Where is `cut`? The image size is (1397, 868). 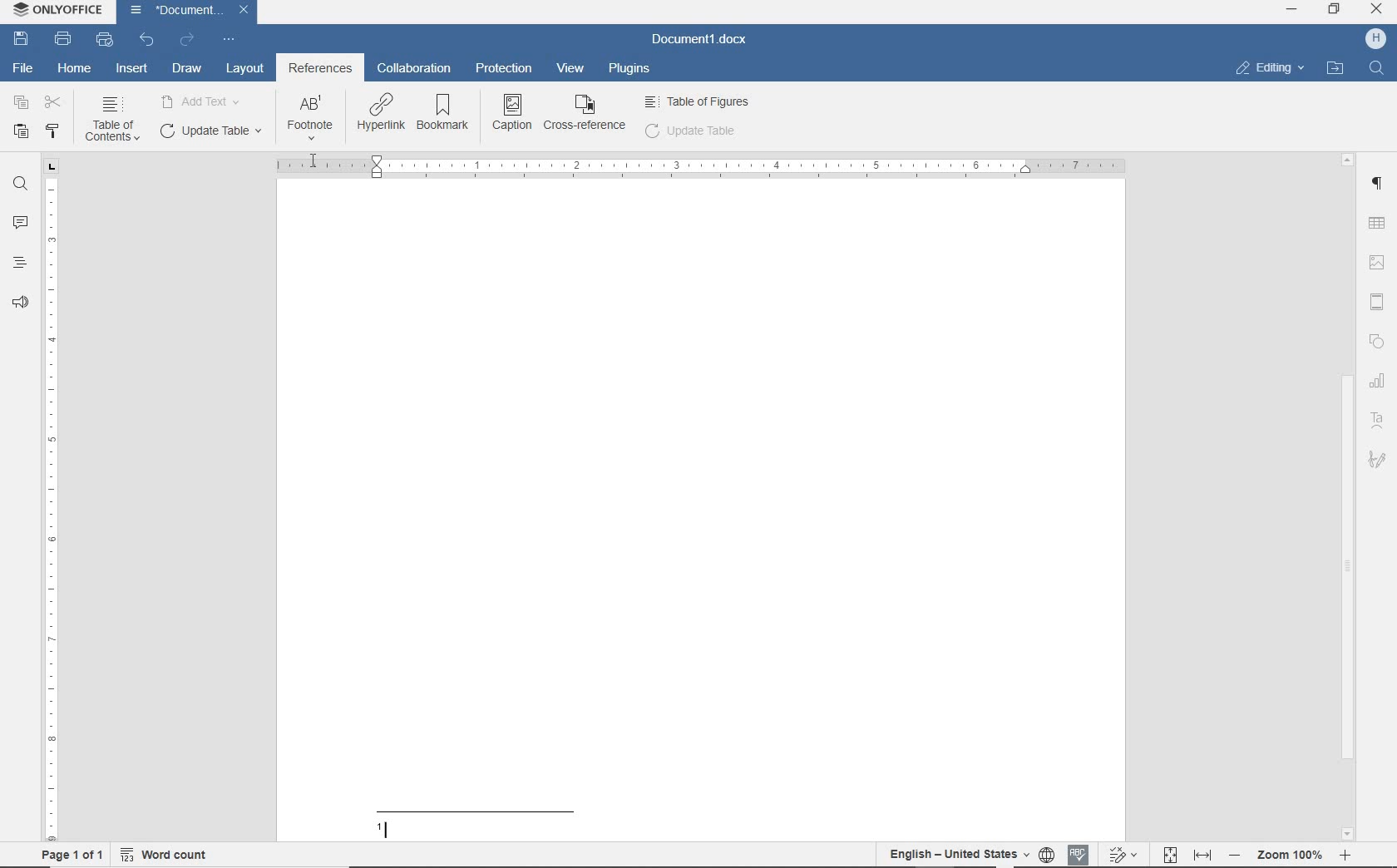
cut is located at coordinates (53, 102).